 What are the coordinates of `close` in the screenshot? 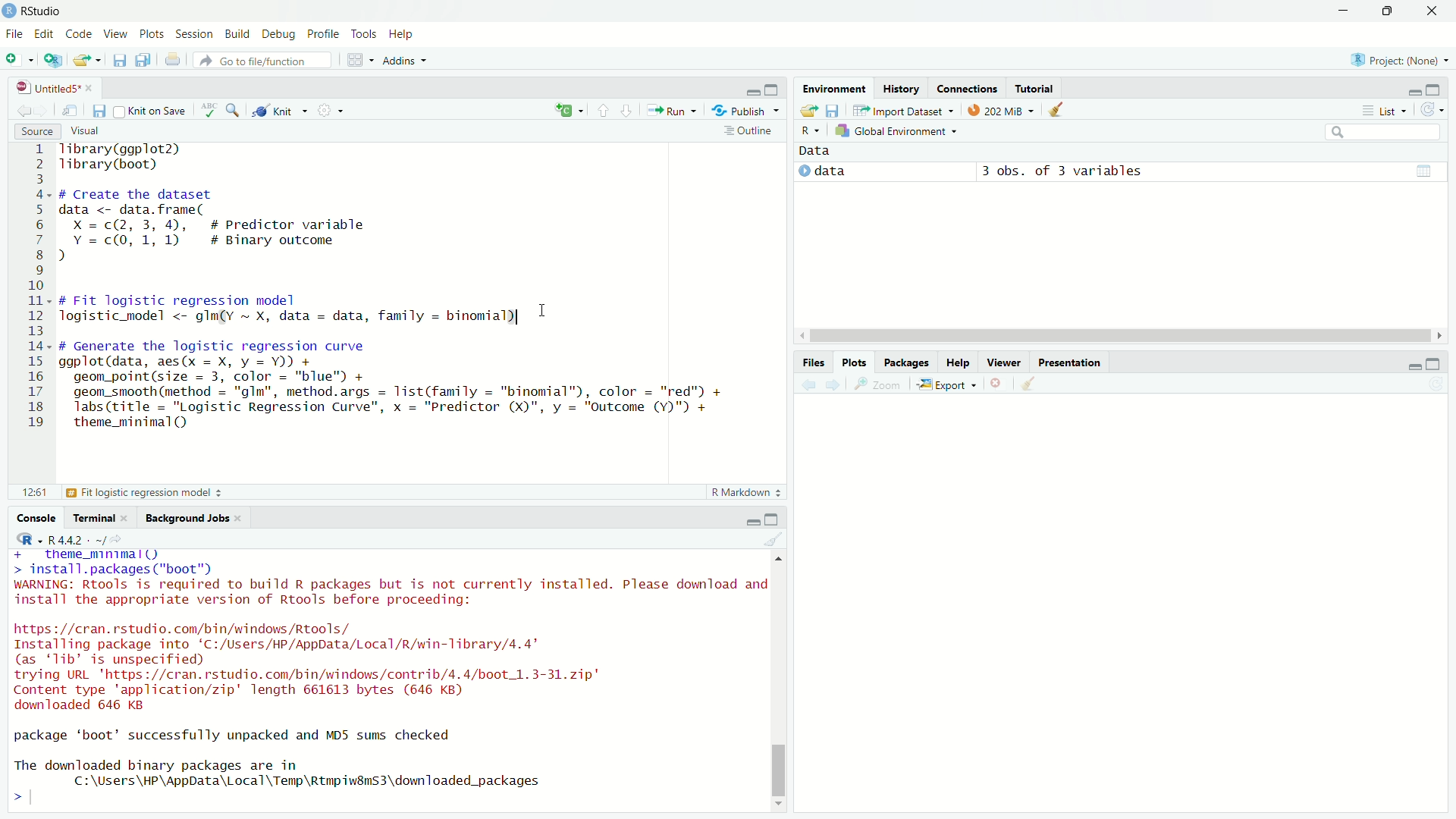 It's located at (237, 518).